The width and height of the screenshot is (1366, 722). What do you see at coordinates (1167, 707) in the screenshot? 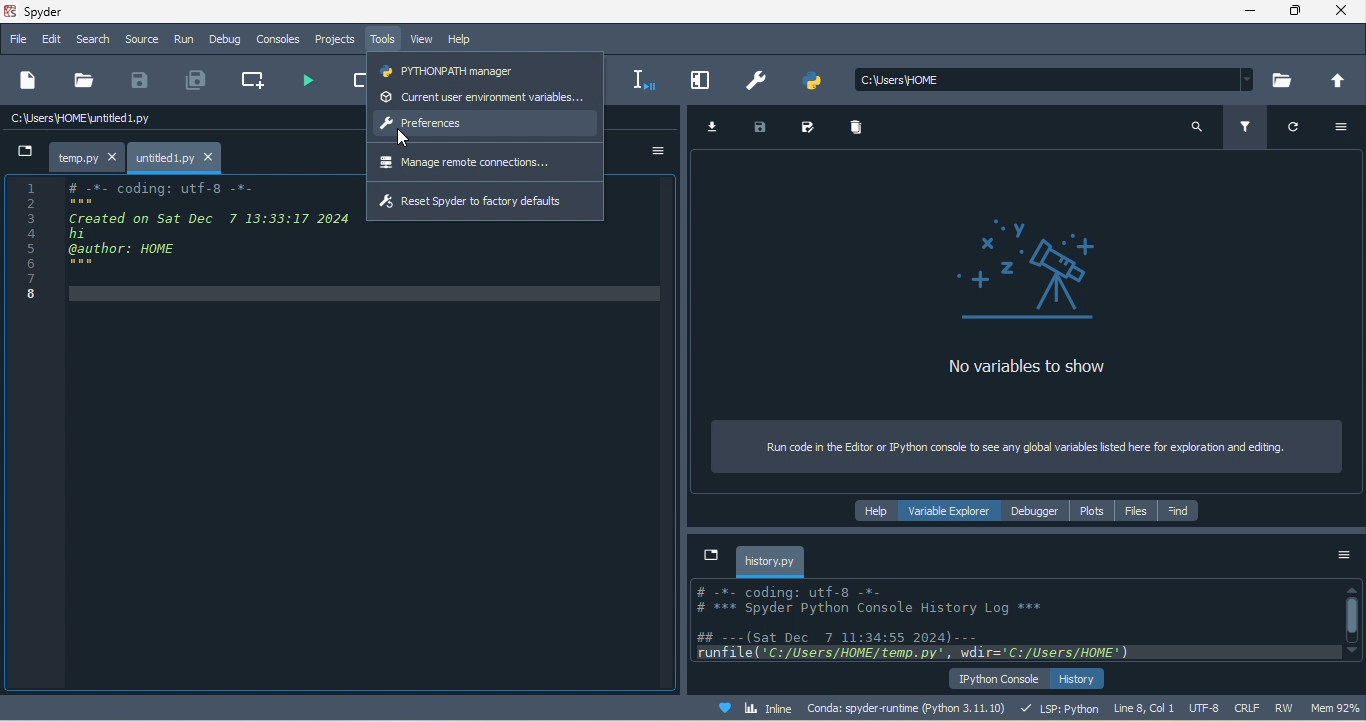
I see `line8 col 1 utf 8` at bounding box center [1167, 707].